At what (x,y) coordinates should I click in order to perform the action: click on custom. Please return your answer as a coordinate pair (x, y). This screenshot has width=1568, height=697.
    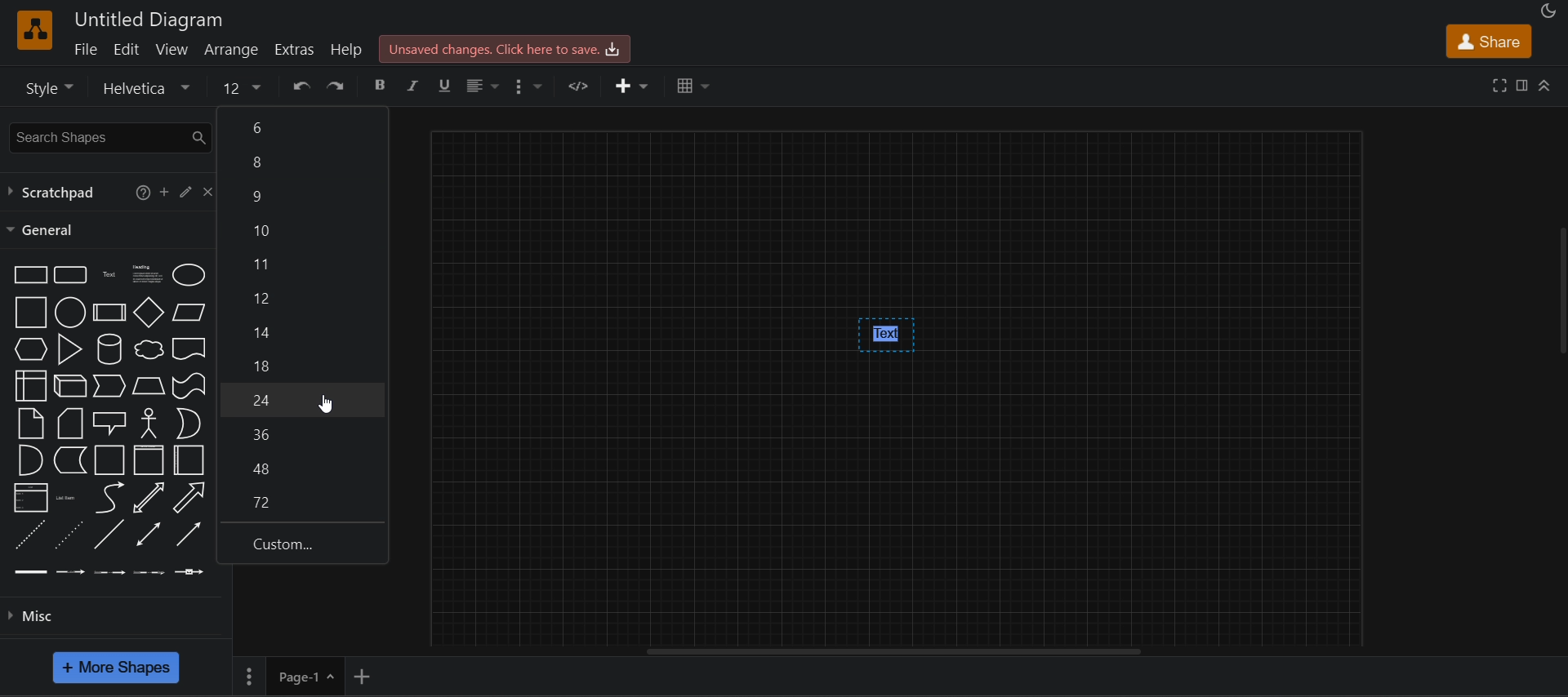
    Looking at the image, I should click on (302, 544).